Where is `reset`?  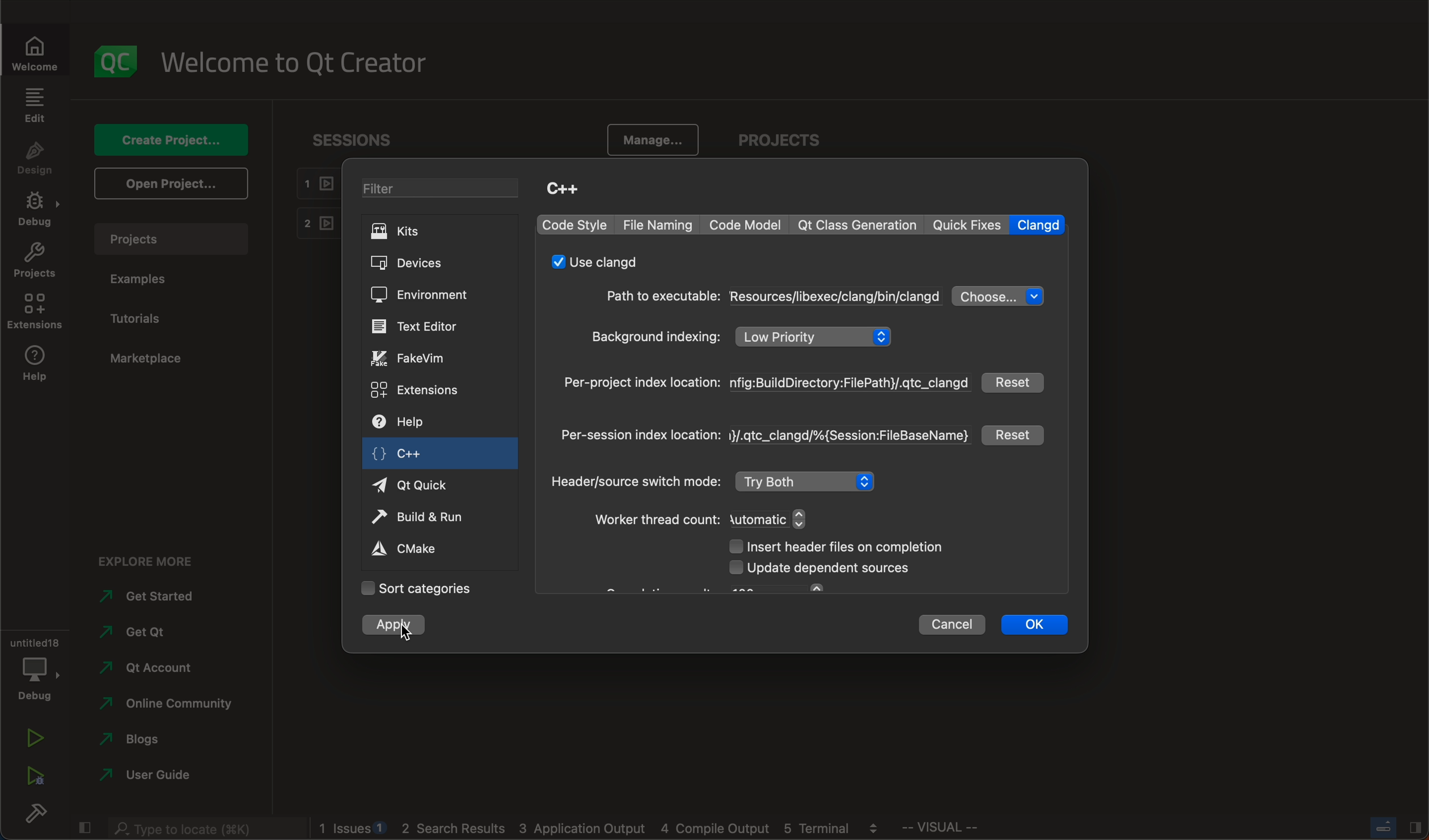
reset is located at coordinates (1013, 434).